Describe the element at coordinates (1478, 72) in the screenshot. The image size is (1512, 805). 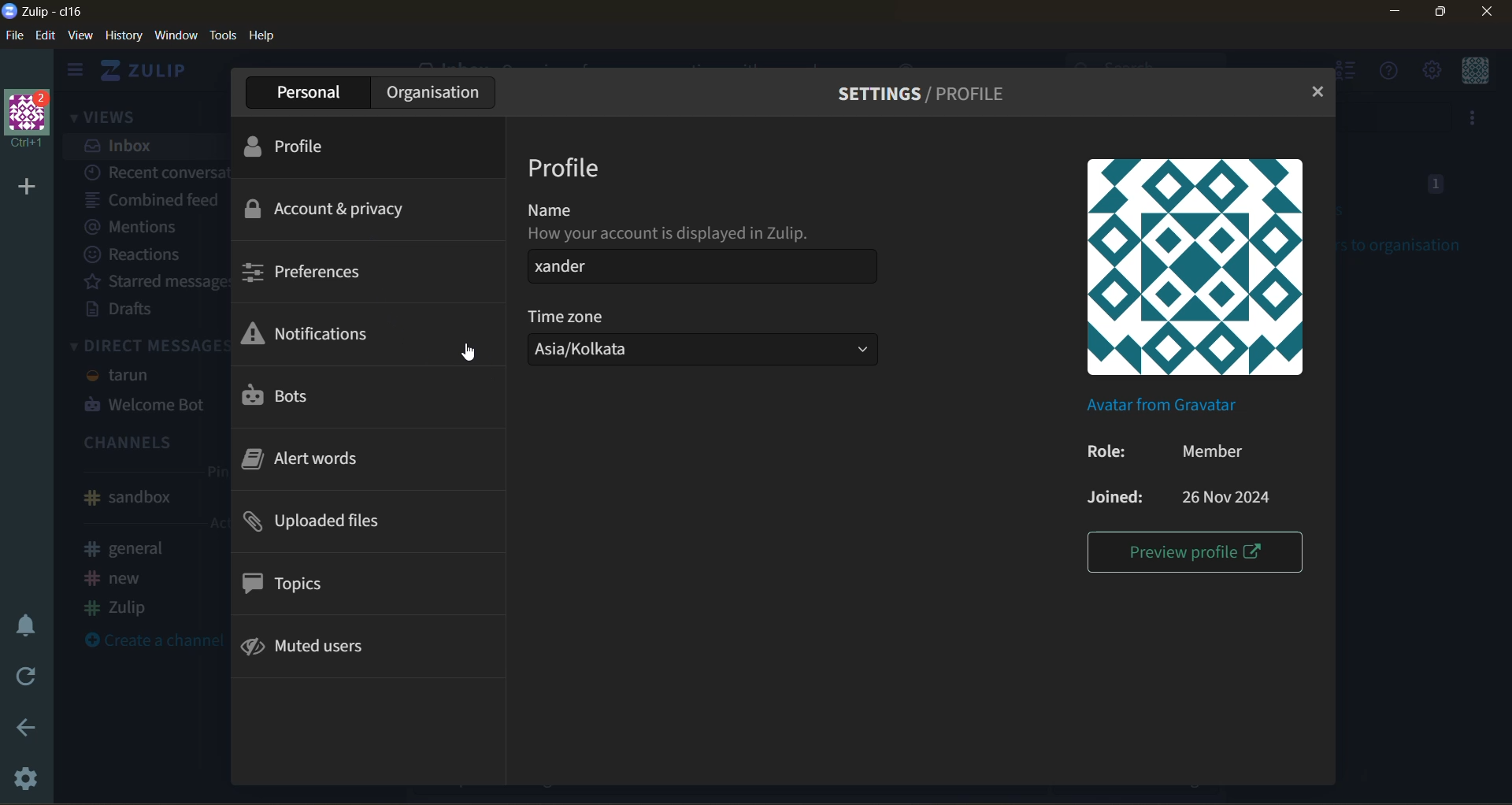
I see `personal menu` at that location.